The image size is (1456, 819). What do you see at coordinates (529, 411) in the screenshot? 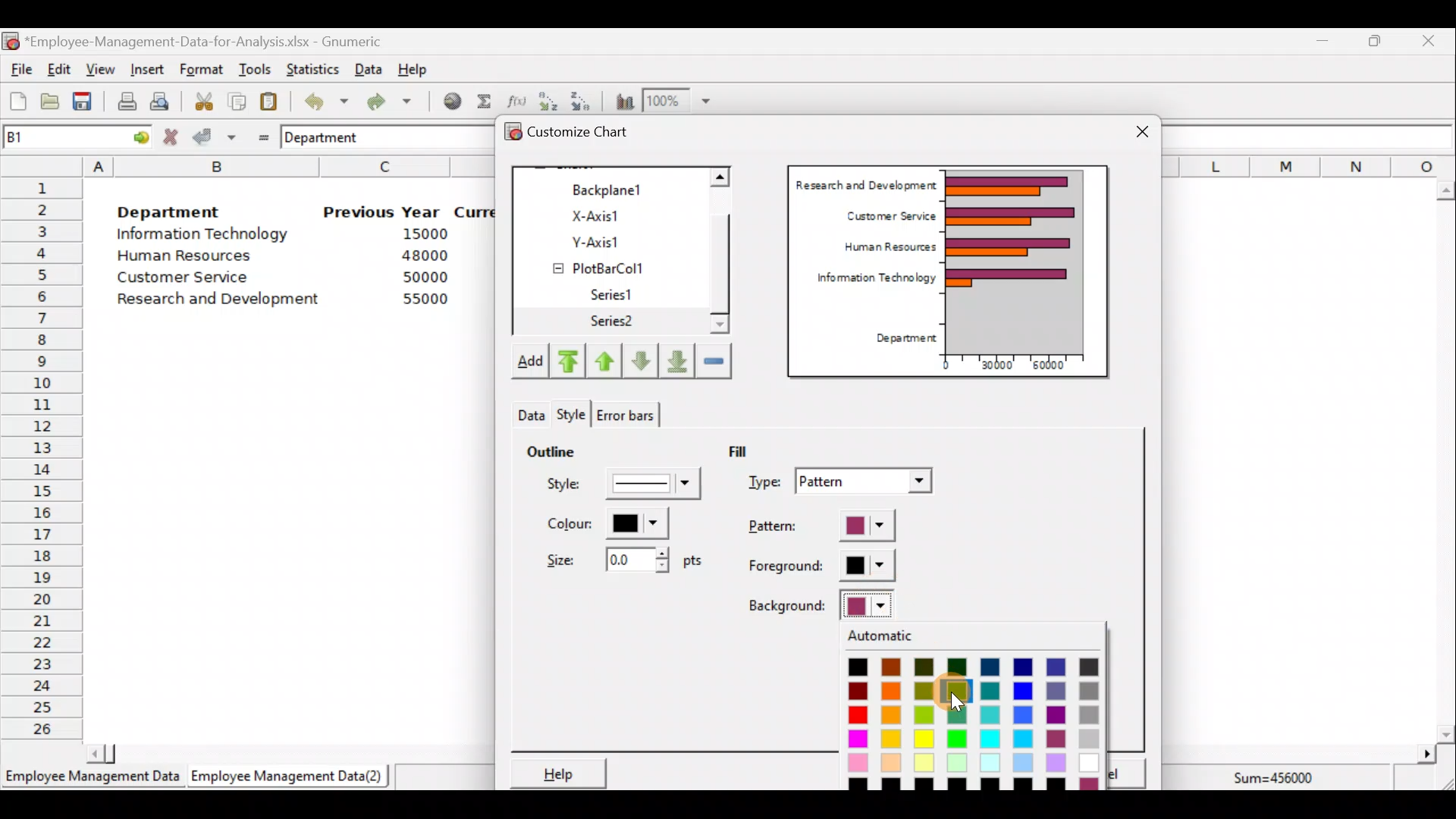
I see `Style` at bounding box center [529, 411].